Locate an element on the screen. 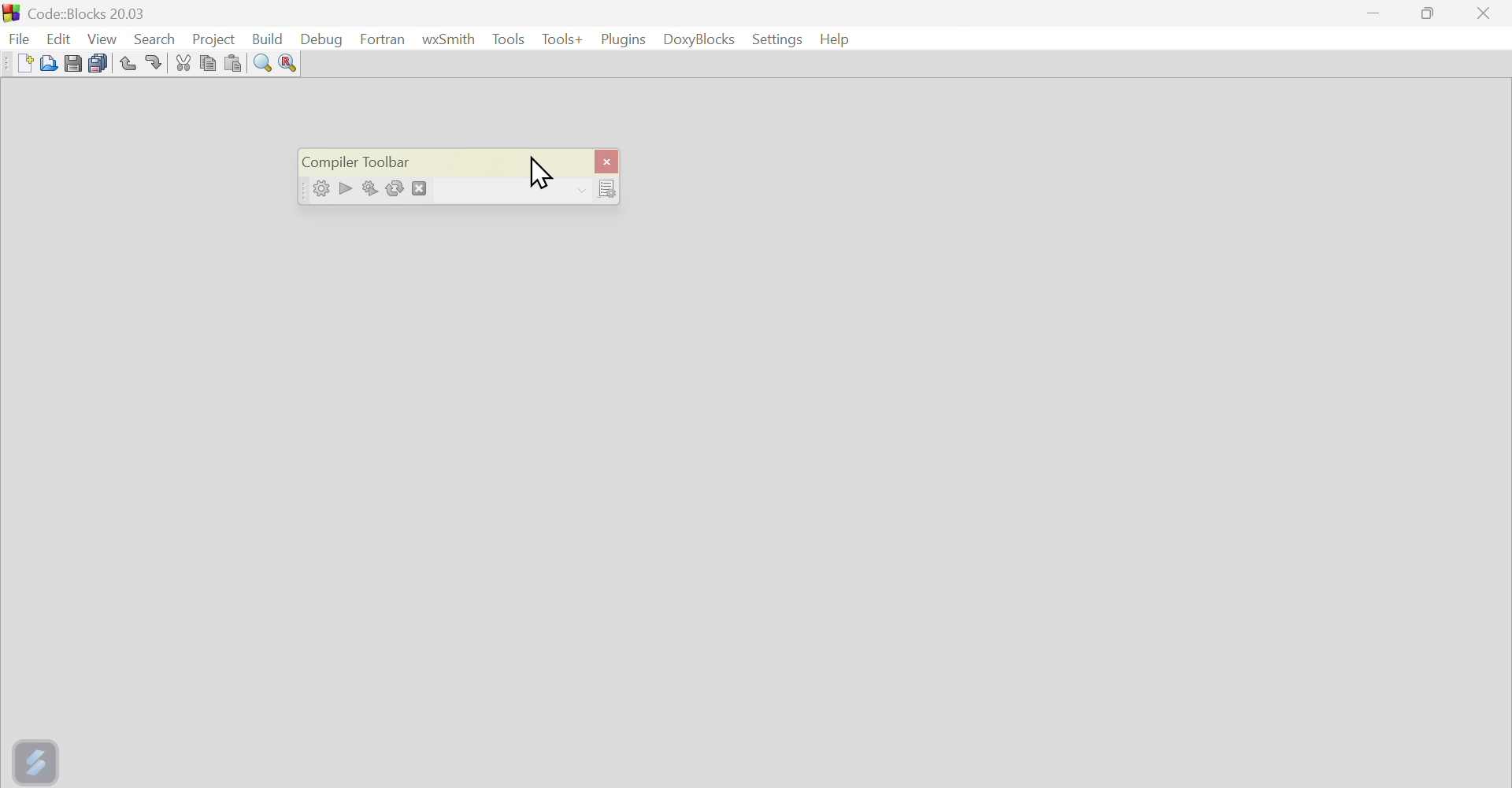  Open is located at coordinates (46, 62).